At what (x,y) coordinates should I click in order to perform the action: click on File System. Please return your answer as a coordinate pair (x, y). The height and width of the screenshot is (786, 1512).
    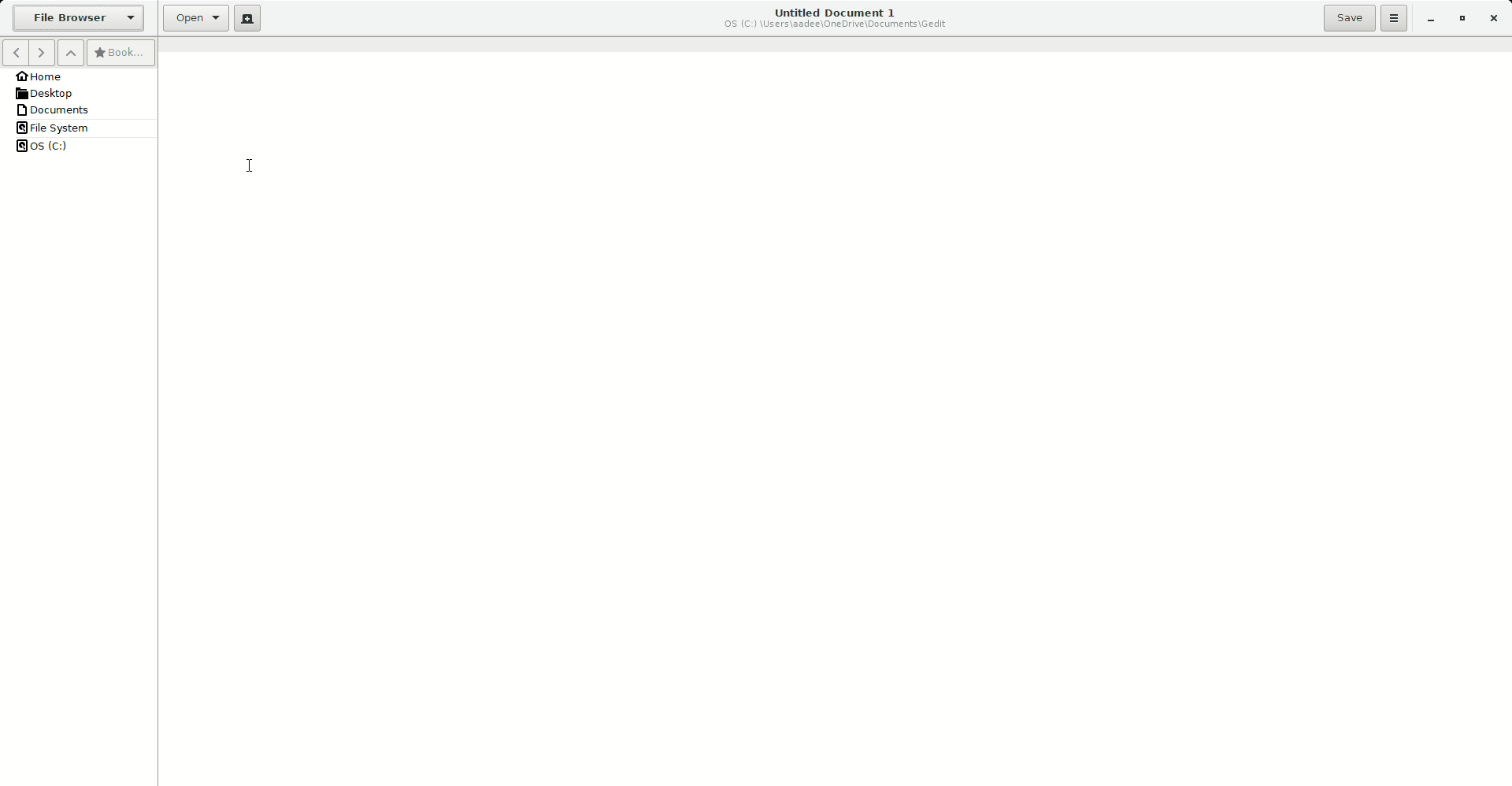
    Looking at the image, I should click on (54, 127).